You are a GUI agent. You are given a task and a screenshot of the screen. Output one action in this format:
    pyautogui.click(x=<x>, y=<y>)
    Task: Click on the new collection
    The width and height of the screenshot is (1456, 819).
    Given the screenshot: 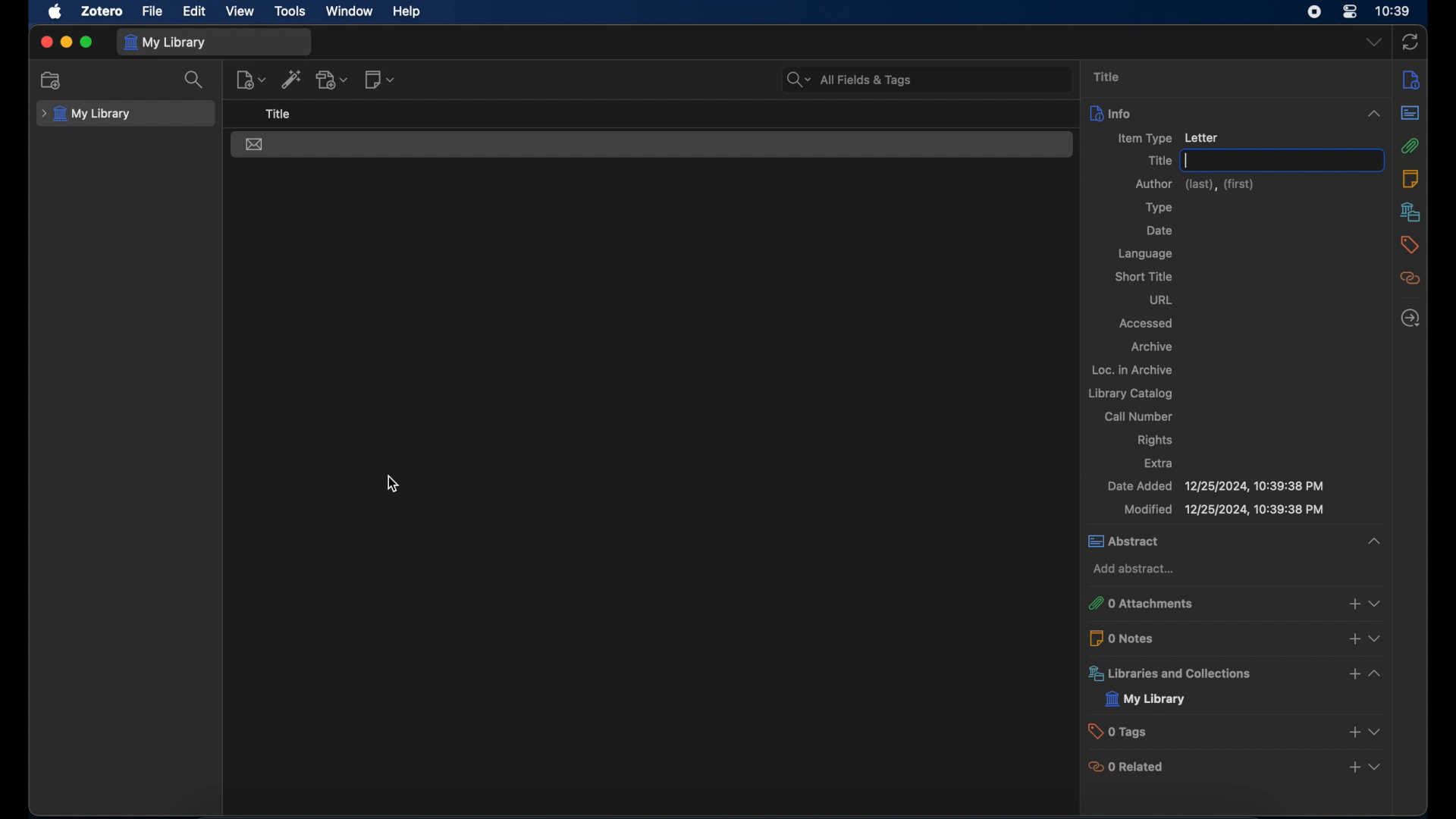 What is the action you would take?
    pyautogui.click(x=53, y=81)
    